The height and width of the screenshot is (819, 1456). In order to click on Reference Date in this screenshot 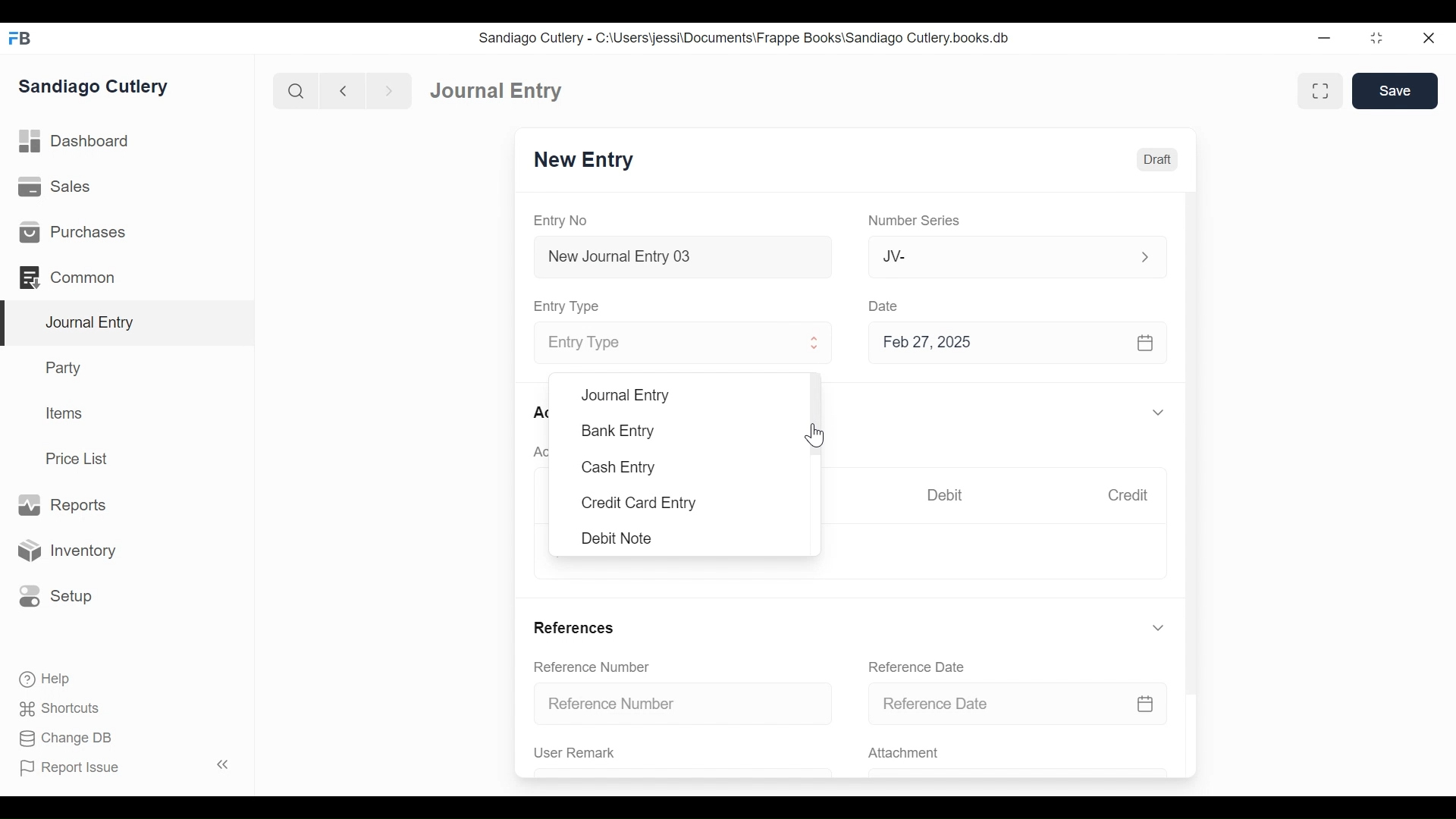, I will do `click(1029, 703)`.